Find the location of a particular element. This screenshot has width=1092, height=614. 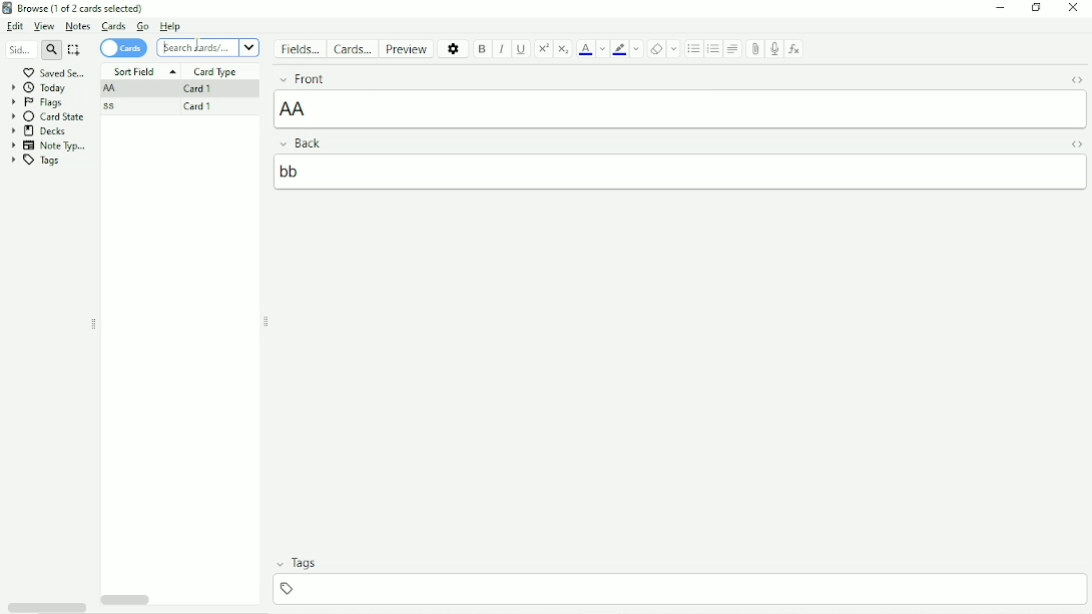

Text Highlight color is located at coordinates (620, 50).